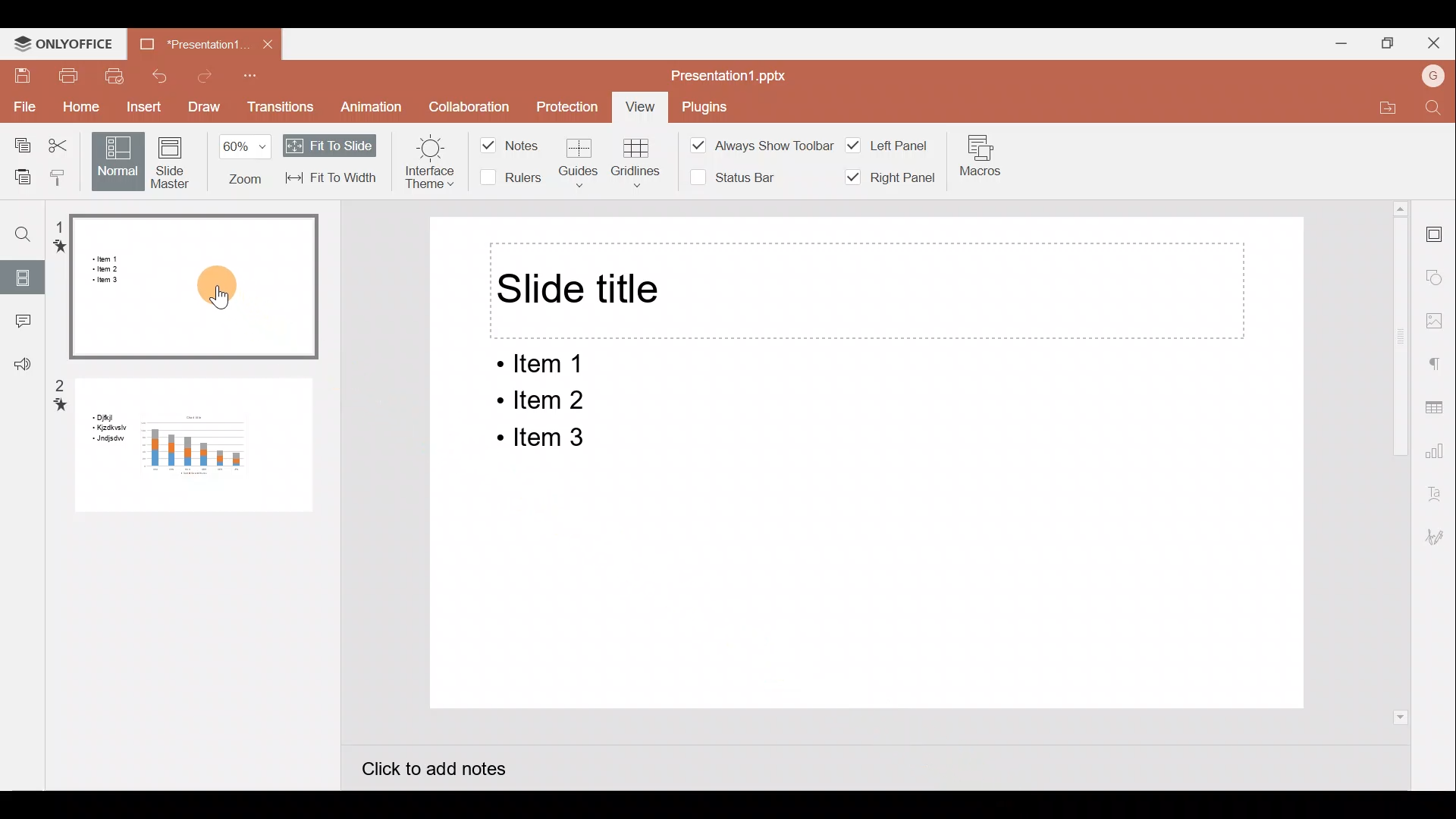 The width and height of the screenshot is (1456, 819). I want to click on Save, so click(20, 76).